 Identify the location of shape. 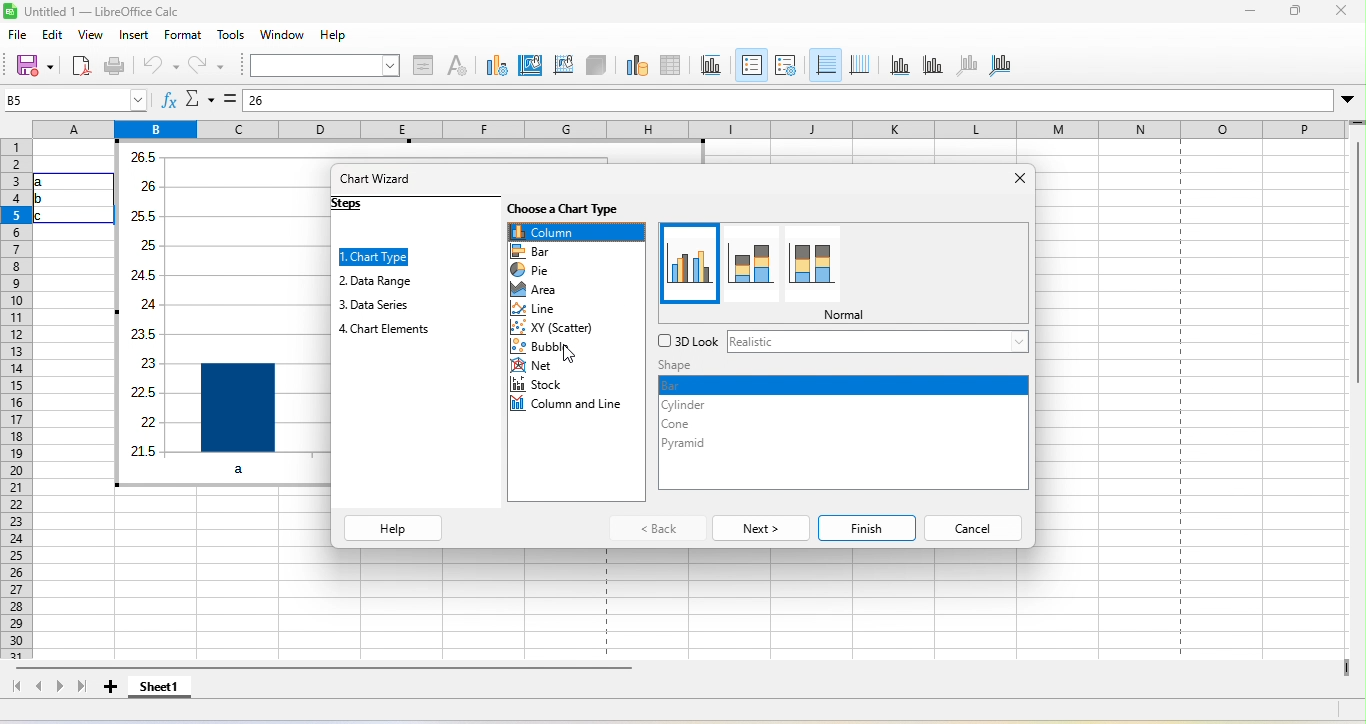
(684, 366).